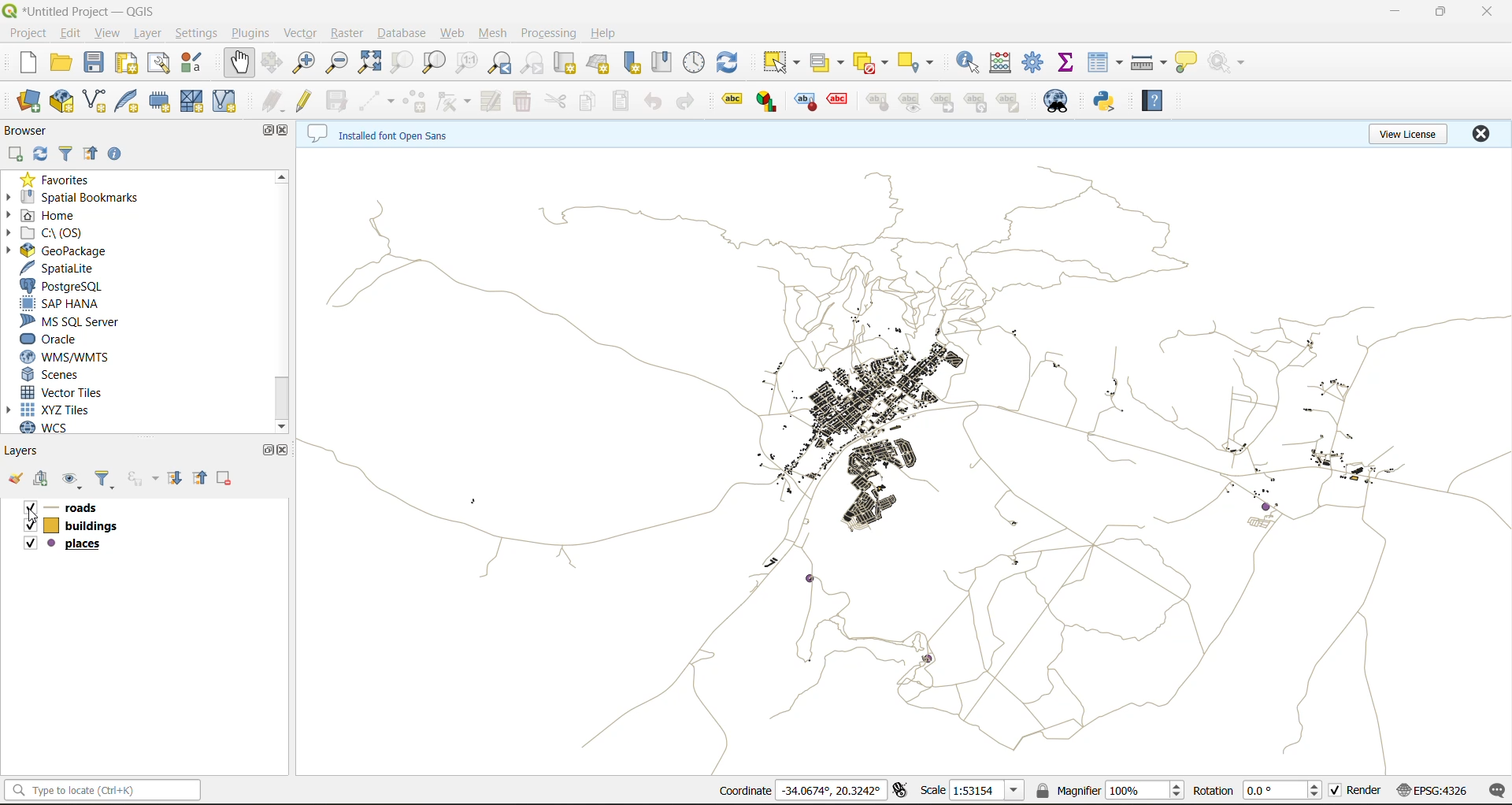  What do you see at coordinates (548, 35) in the screenshot?
I see `processing` at bounding box center [548, 35].